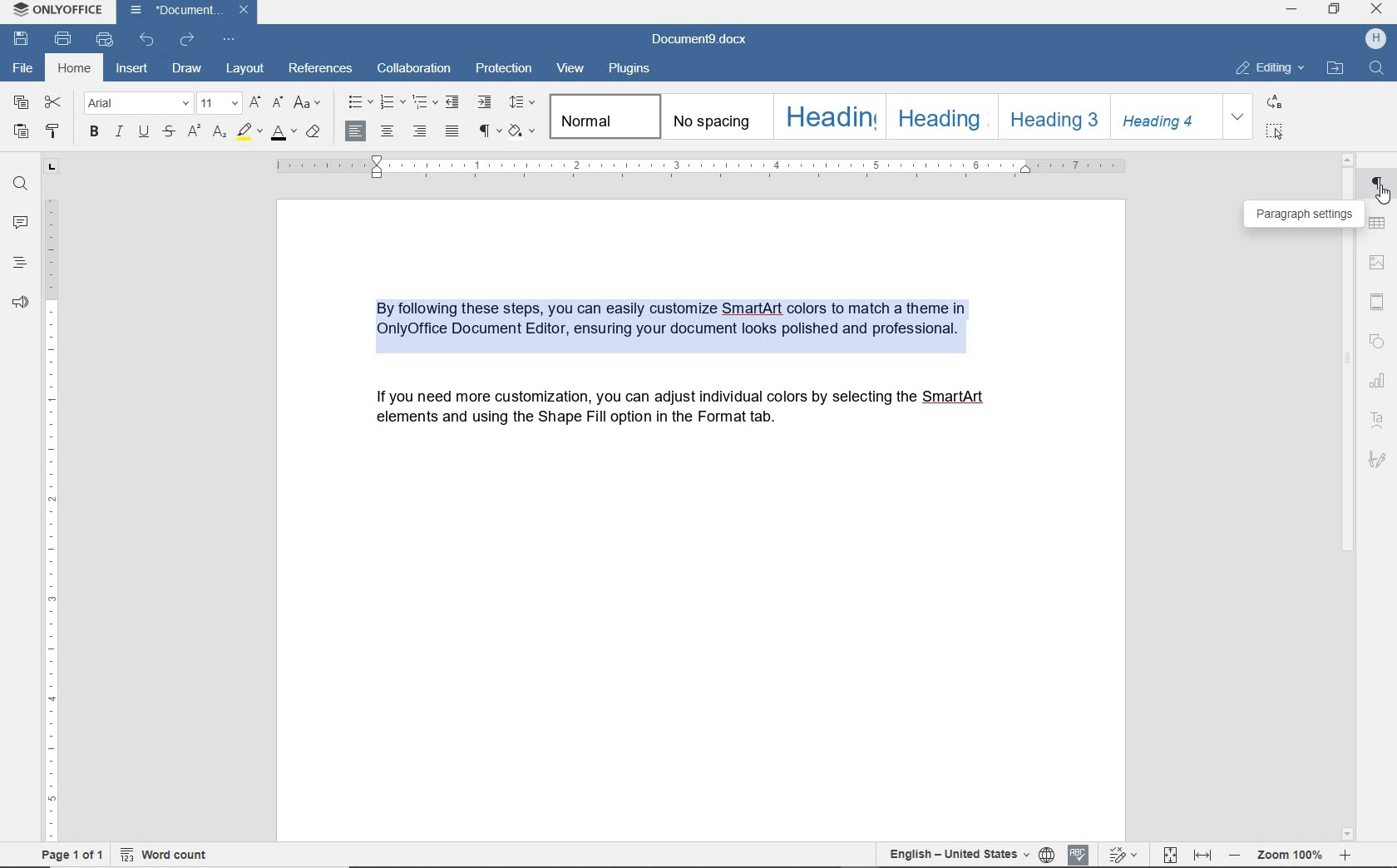 Image resolution: width=1397 pixels, height=868 pixels. What do you see at coordinates (604, 116) in the screenshot?
I see `normal` at bounding box center [604, 116].